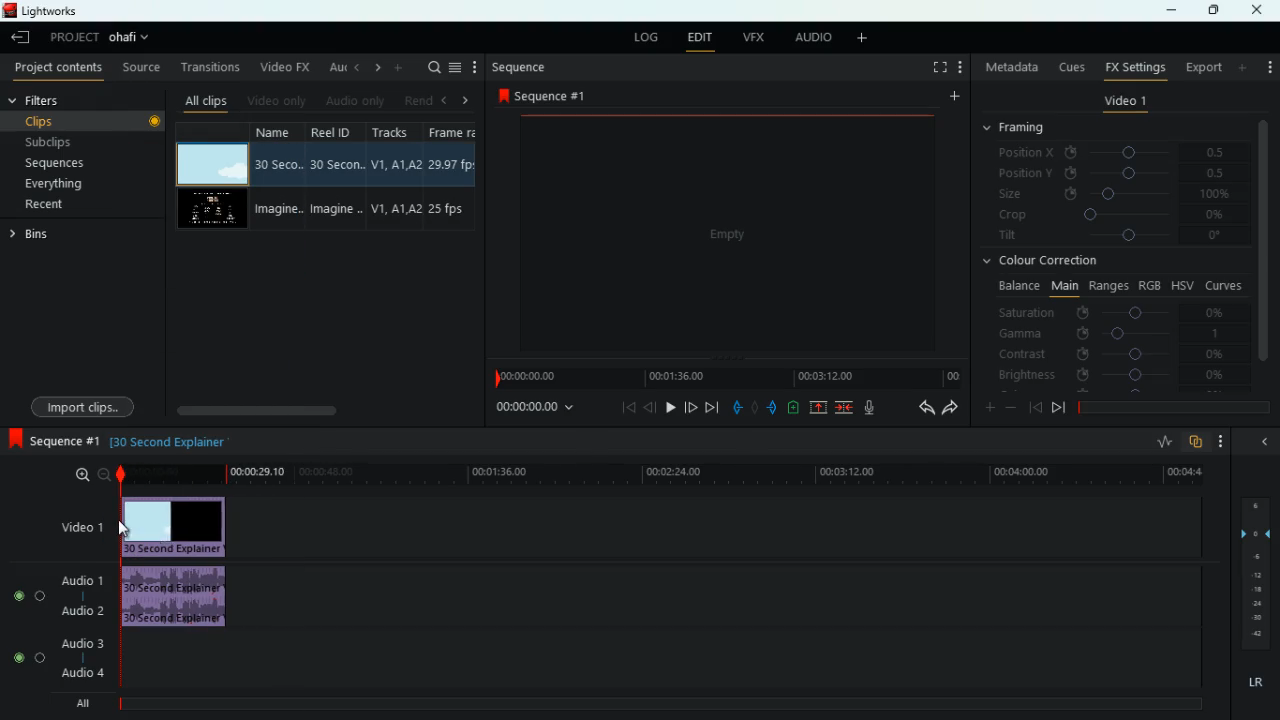  What do you see at coordinates (1045, 263) in the screenshot?
I see `colour correction` at bounding box center [1045, 263].